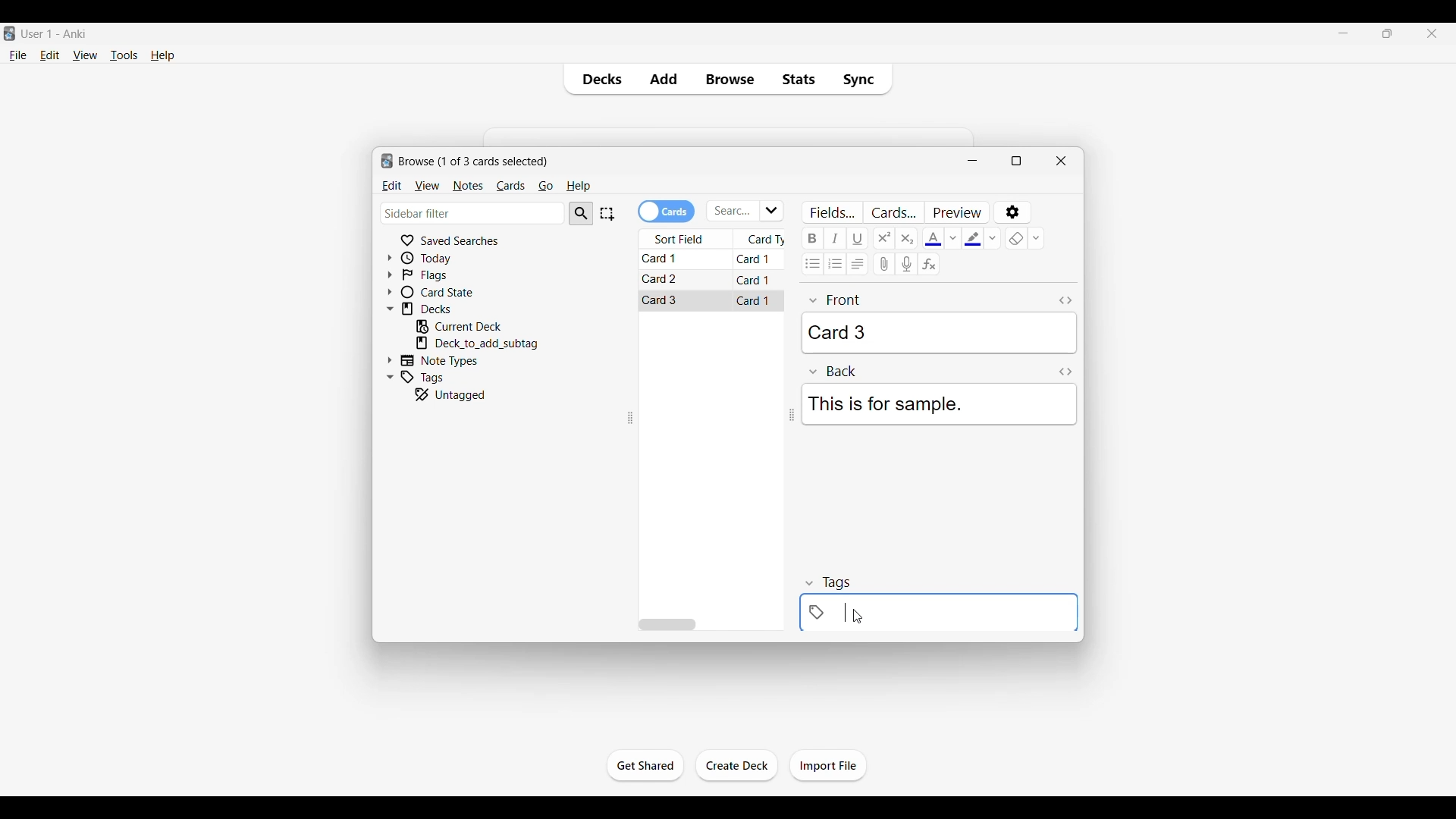 This screenshot has height=819, width=1456. I want to click on User 1 - Anki, so click(55, 33).